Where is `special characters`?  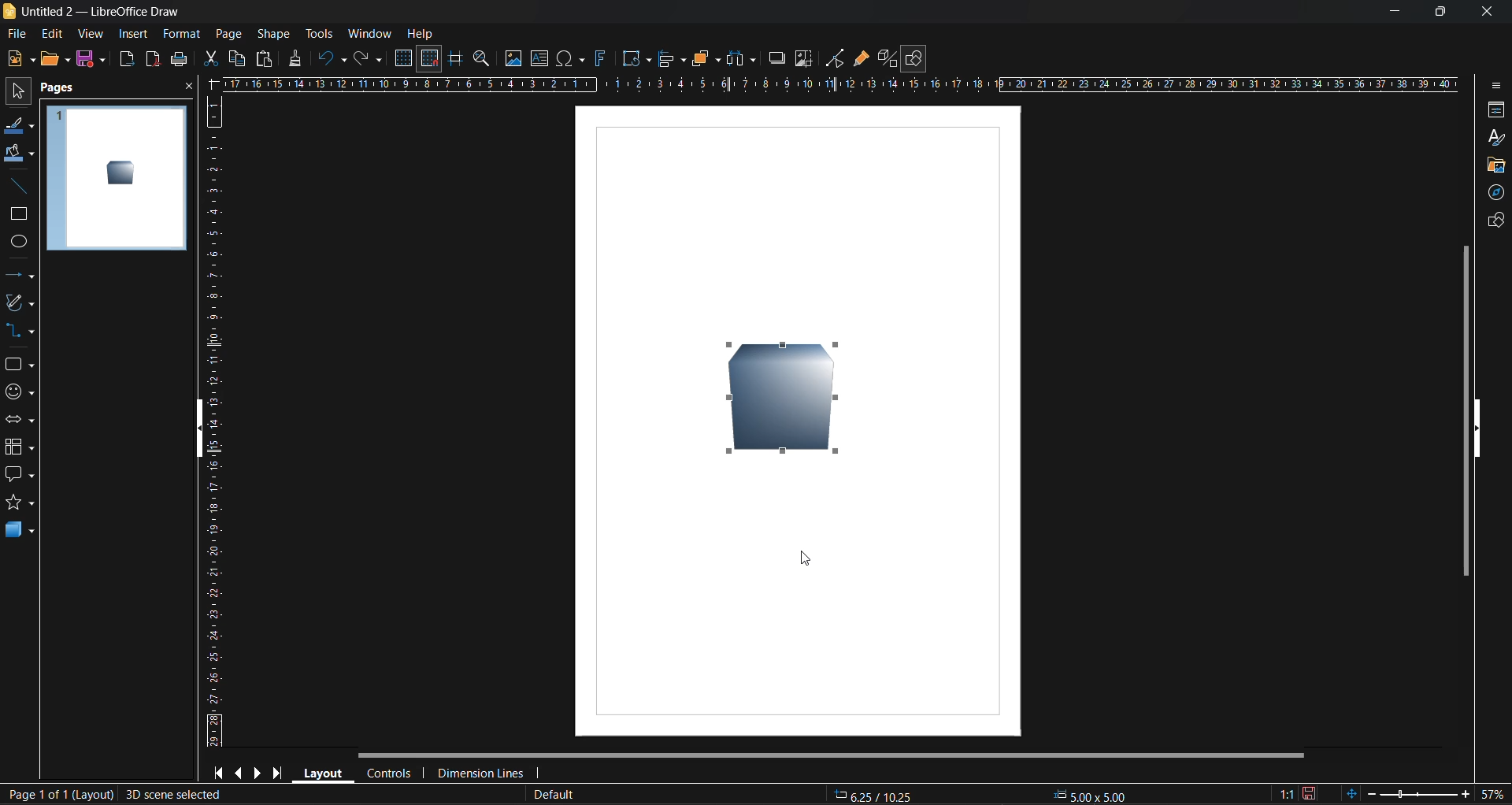 special characters is located at coordinates (574, 59).